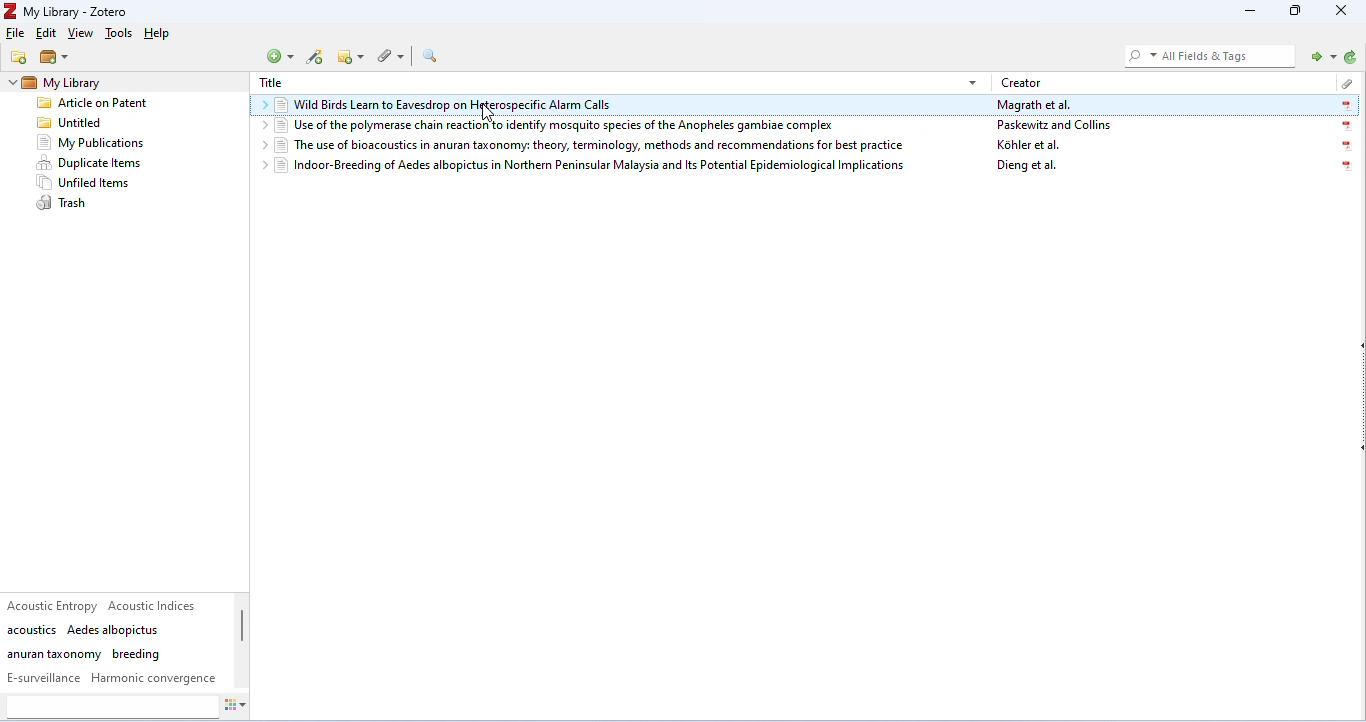 Image resolution: width=1366 pixels, height=722 pixels. I want to click on E surveniance Harmonic convergence, so click(112, 678).